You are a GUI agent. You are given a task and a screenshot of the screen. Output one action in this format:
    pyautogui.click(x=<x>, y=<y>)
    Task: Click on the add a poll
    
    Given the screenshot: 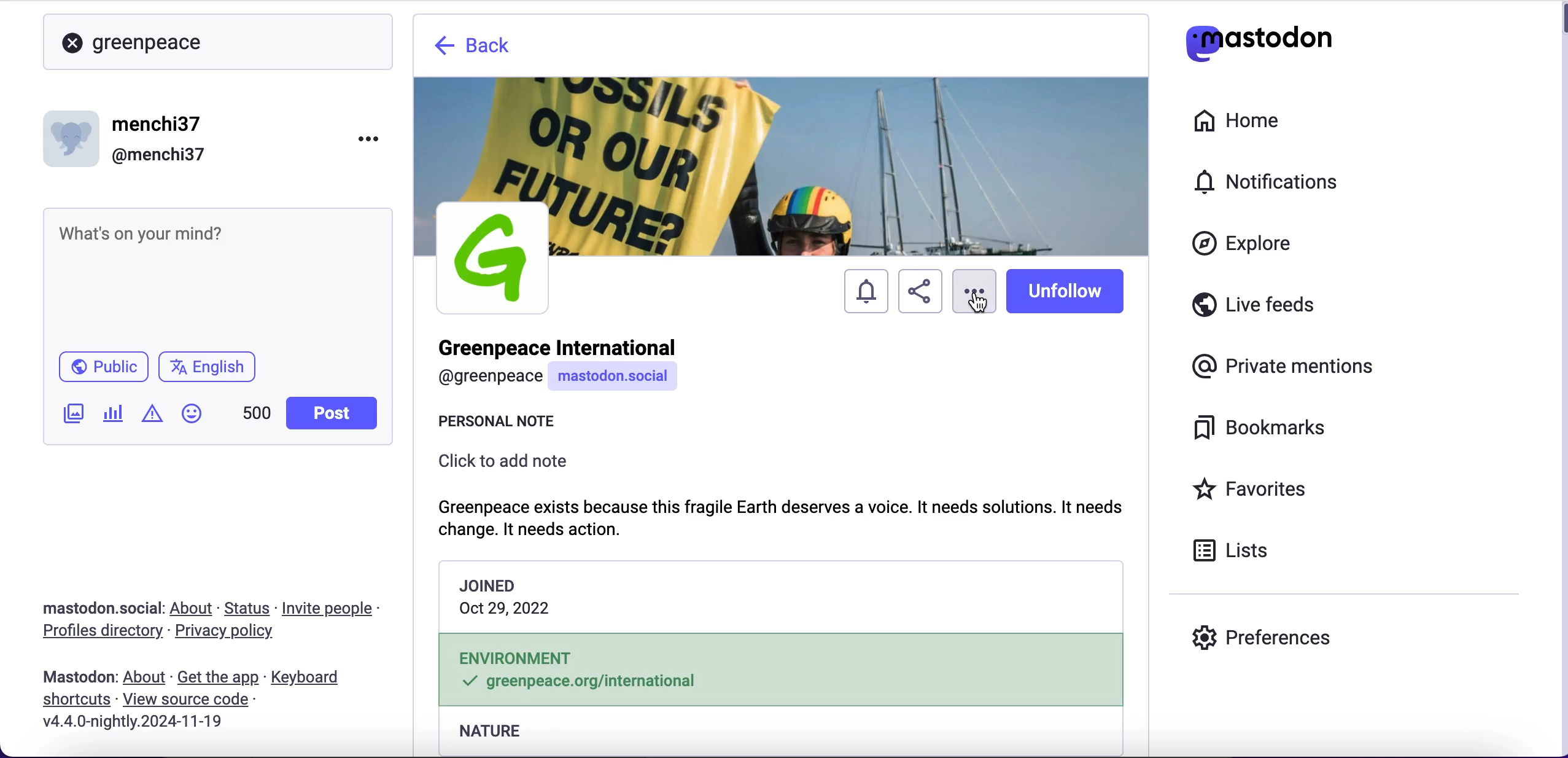 What is the action you would take?
    pyautogui.click(x=112, y=418)
    